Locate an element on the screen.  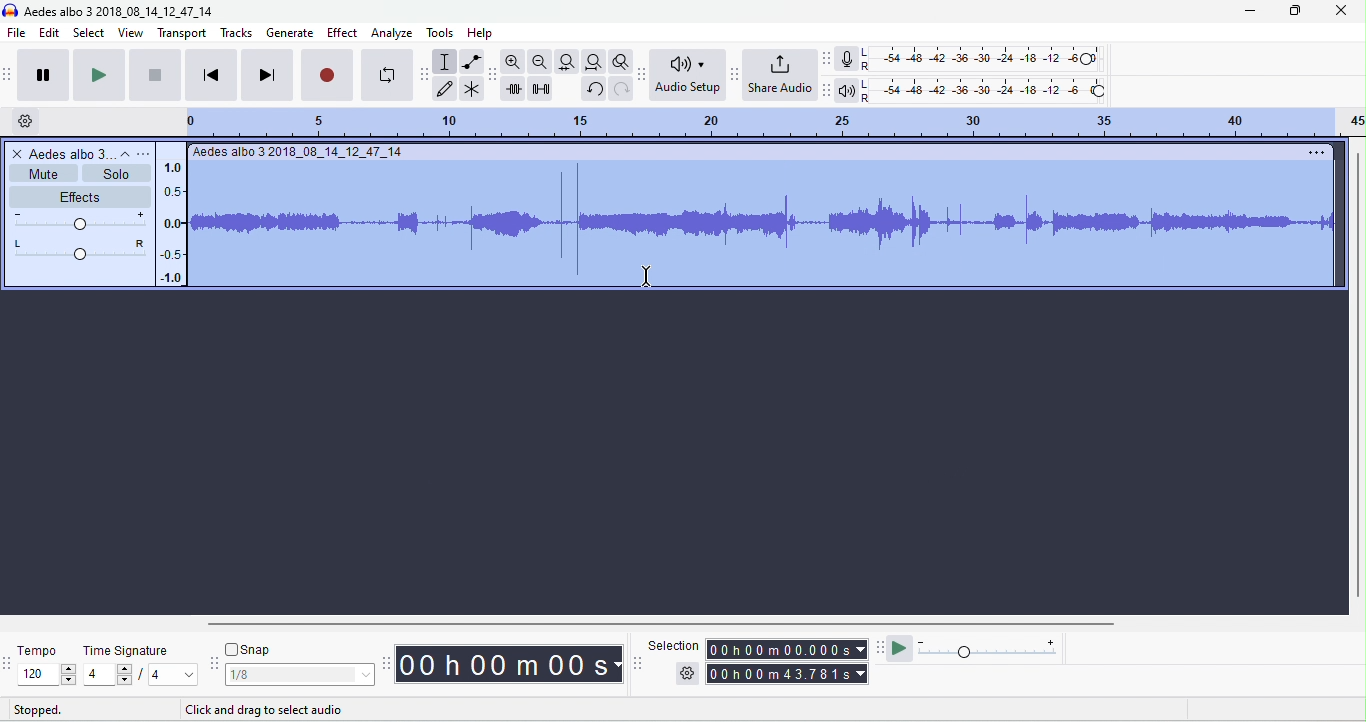
title is located at coordinates (119, 10).